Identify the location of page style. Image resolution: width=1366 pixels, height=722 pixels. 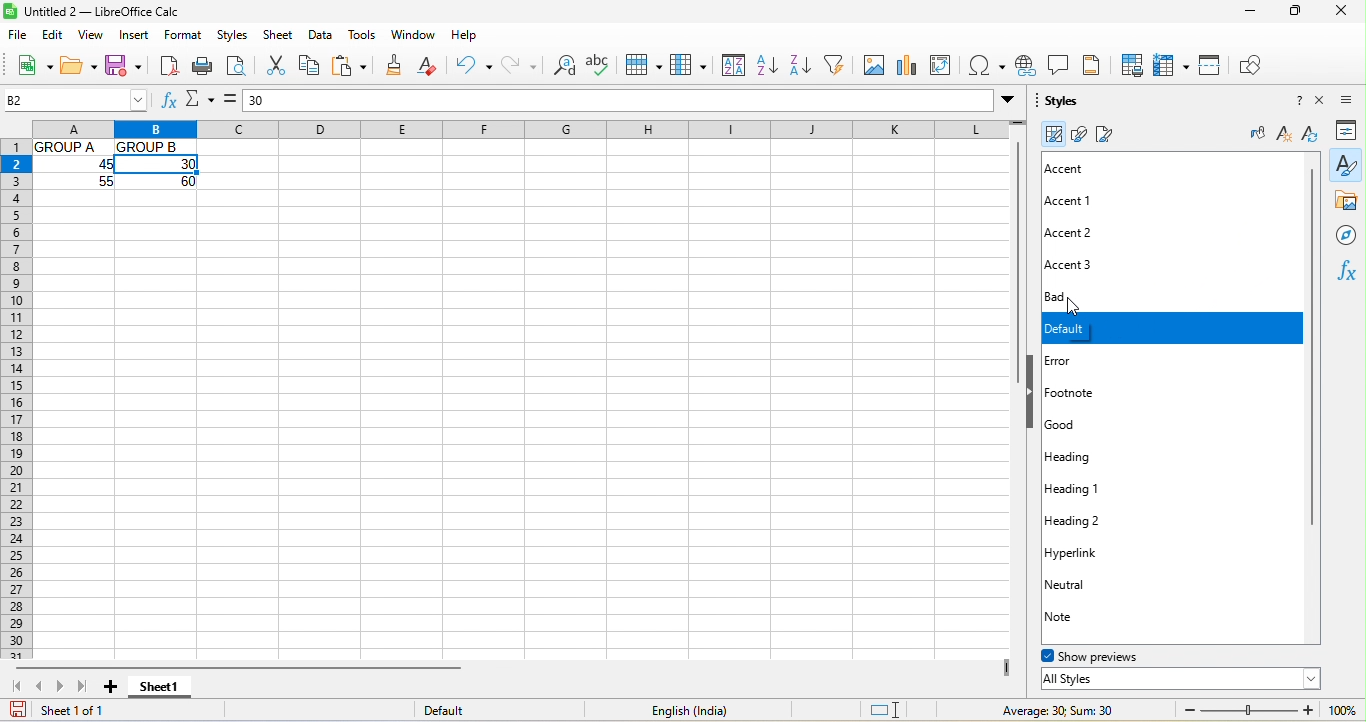
(1113, 134).